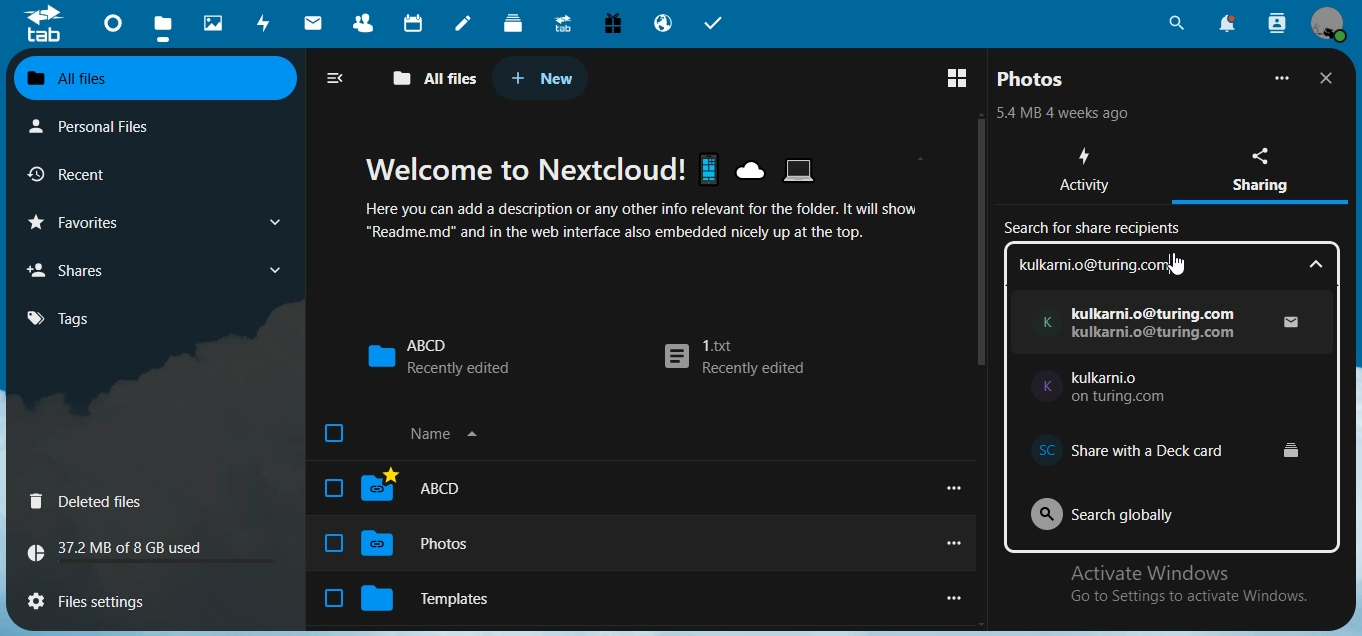 The image size is (1362, 636). What do you see at coordinates (316, 25) in the screenshot?
I see `mail` at bounding box center [316, 25].